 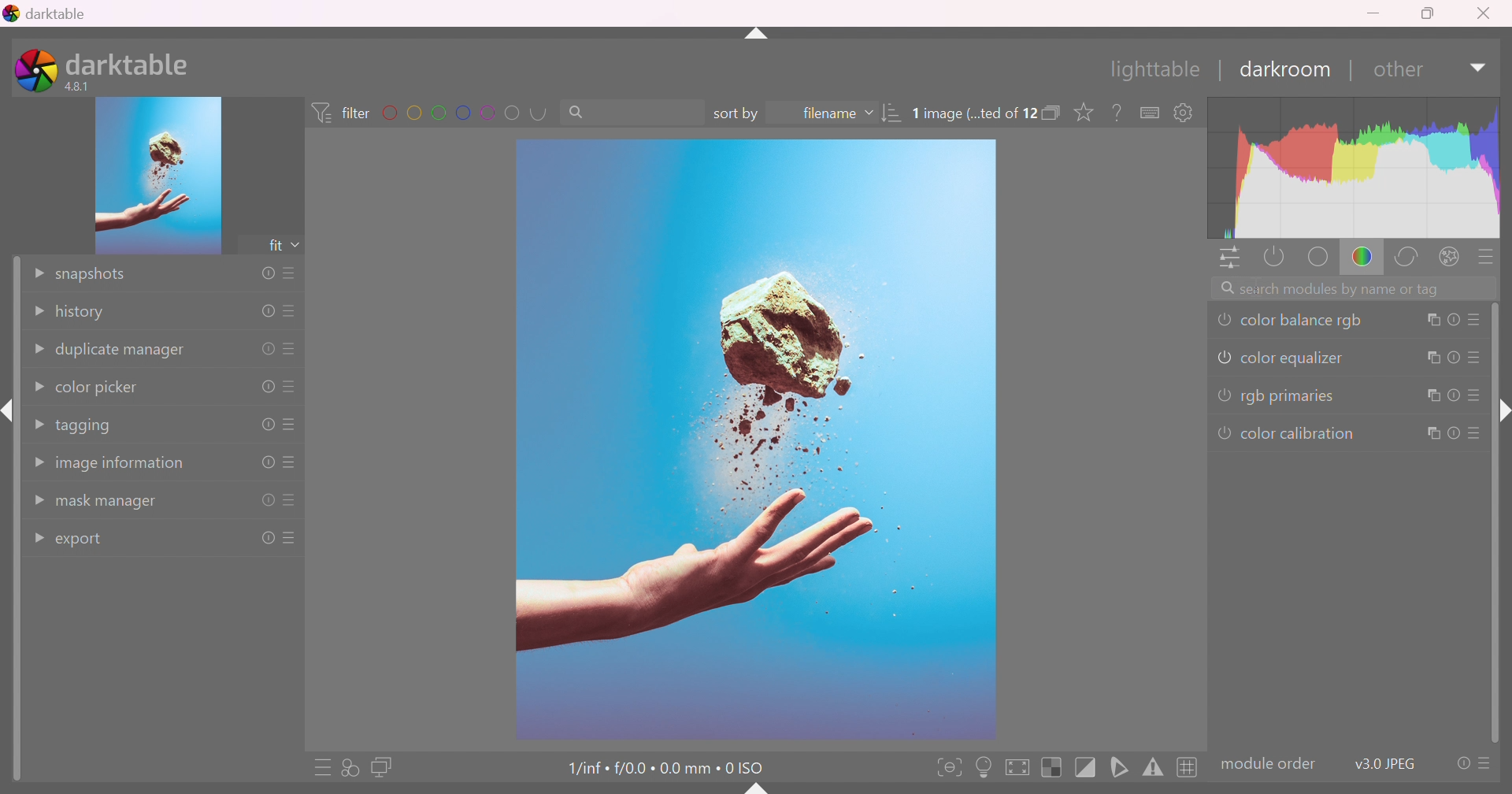 What do you see at coordinates (1154, 770) in the screenshot?
I see `toggle gamut checking` at bounding box center [1154, 770].